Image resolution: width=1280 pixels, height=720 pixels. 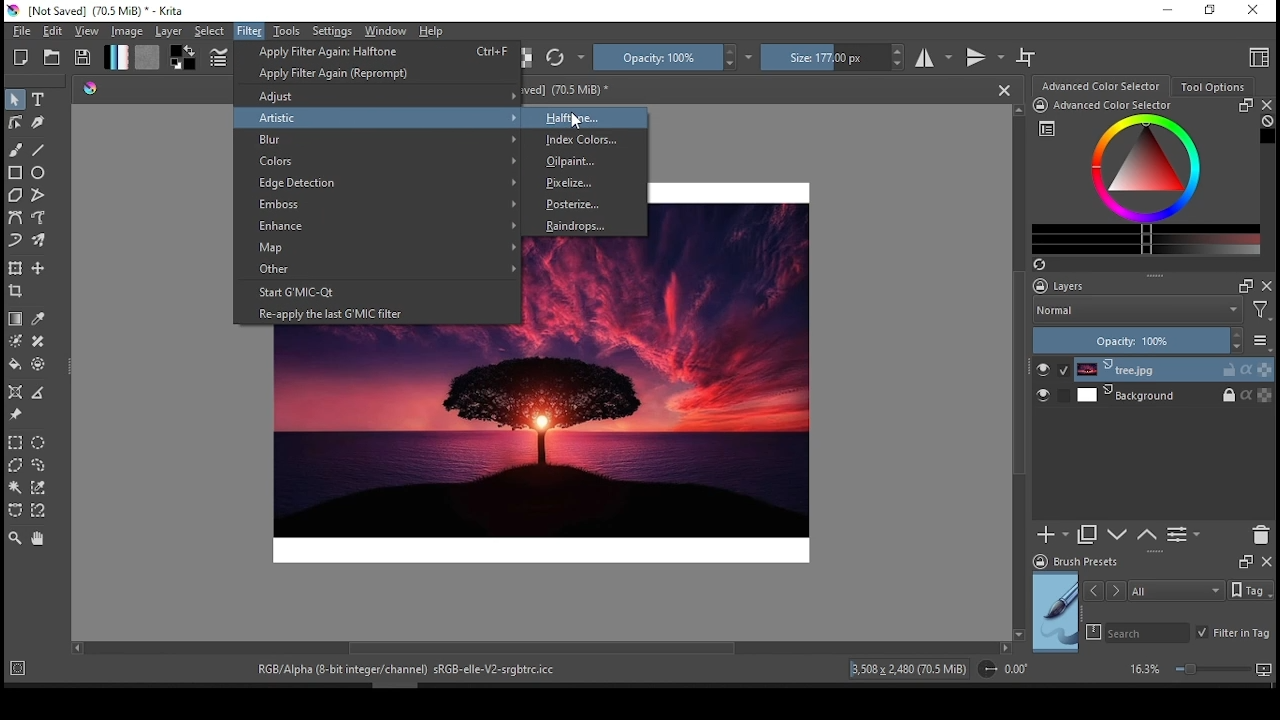 What do you see at coordinates (1107, 562) in the screenshot?
I see `brush presets` at bounding box center [1107, 562].